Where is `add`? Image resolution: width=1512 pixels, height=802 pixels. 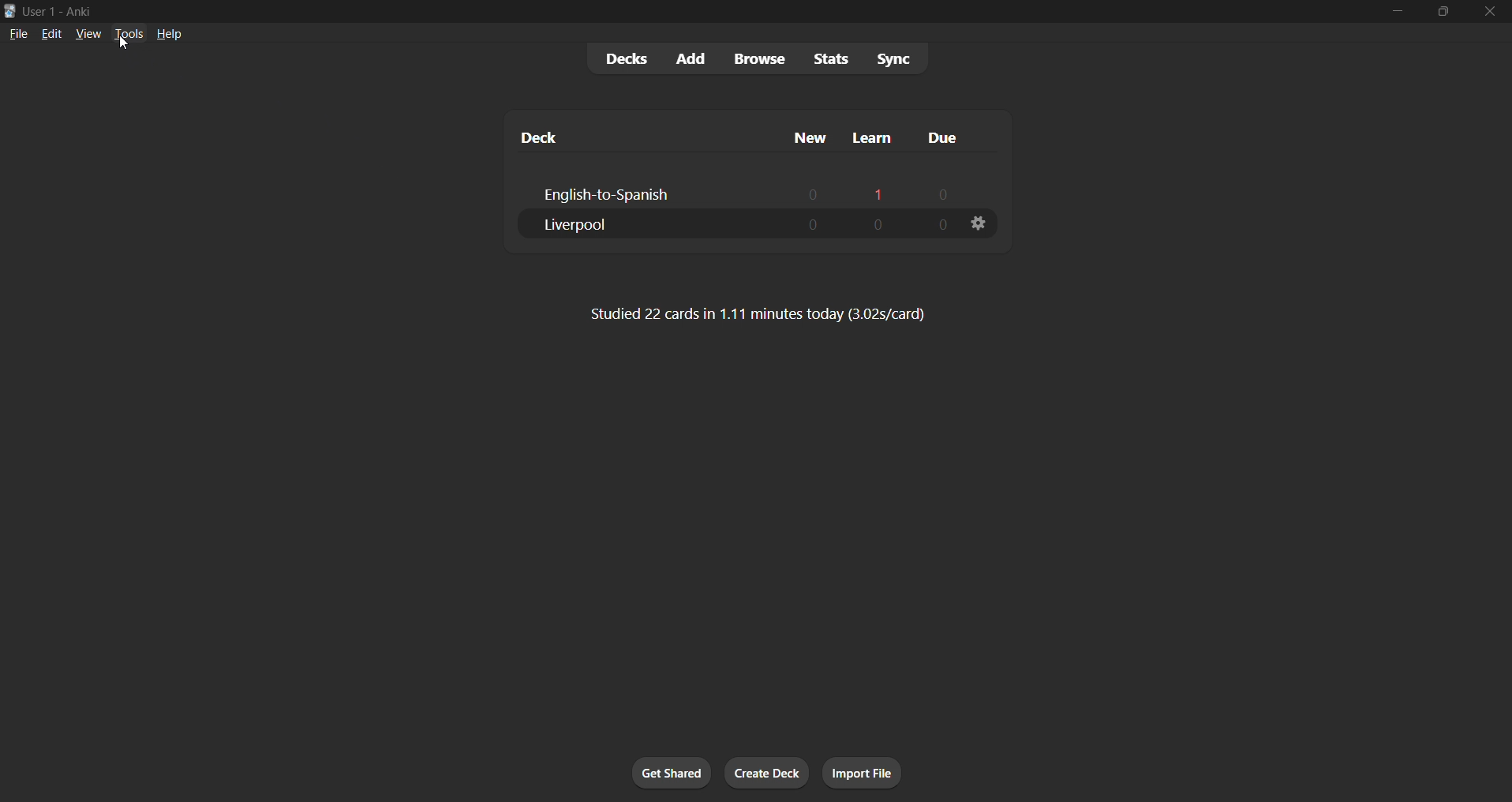
add is located at coordinates (687, 55).